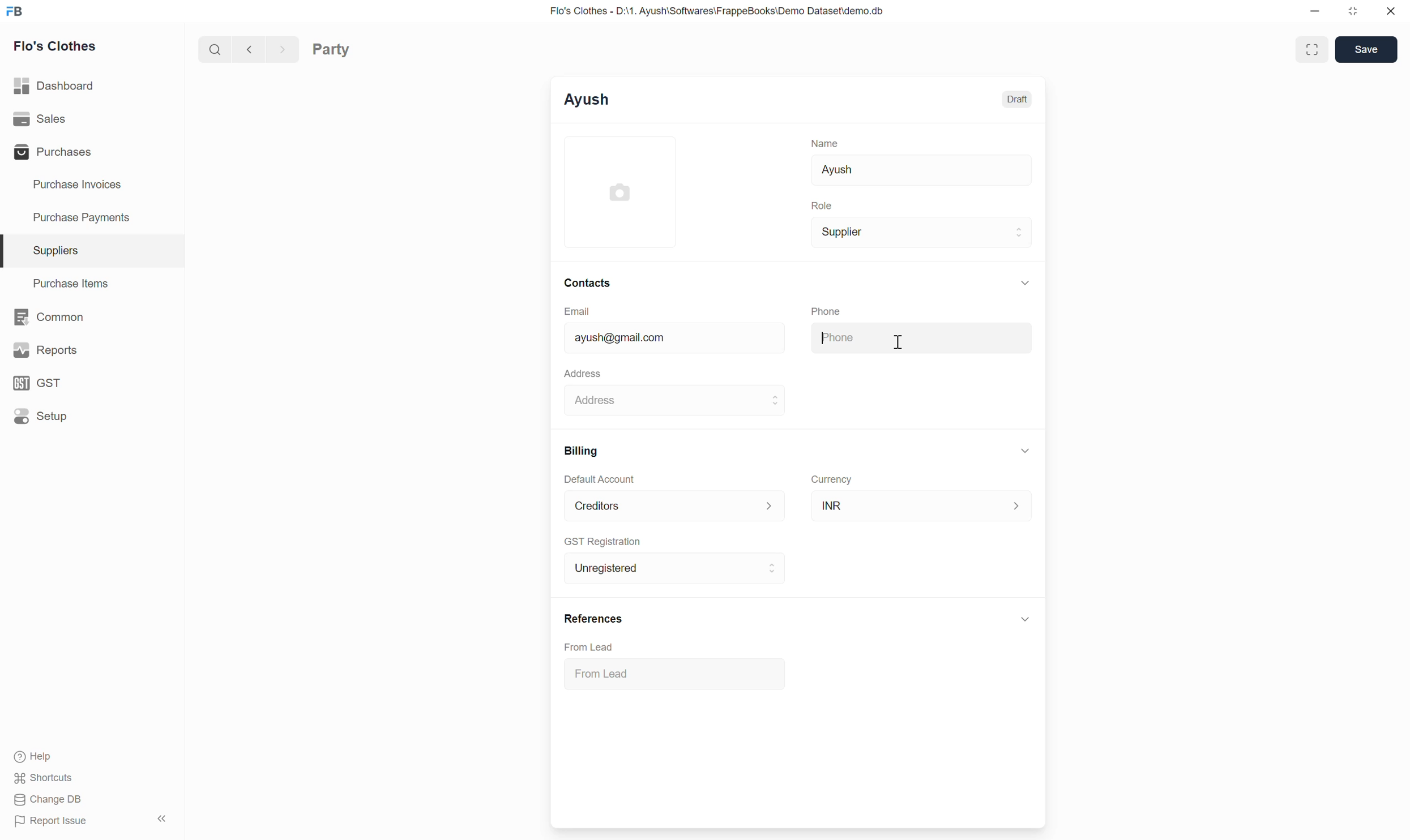 The width and height of the screenshot is (1410, 840). Describe the element at coordinates (676, 506) in the screenshot. I see `Default Account` at that location.